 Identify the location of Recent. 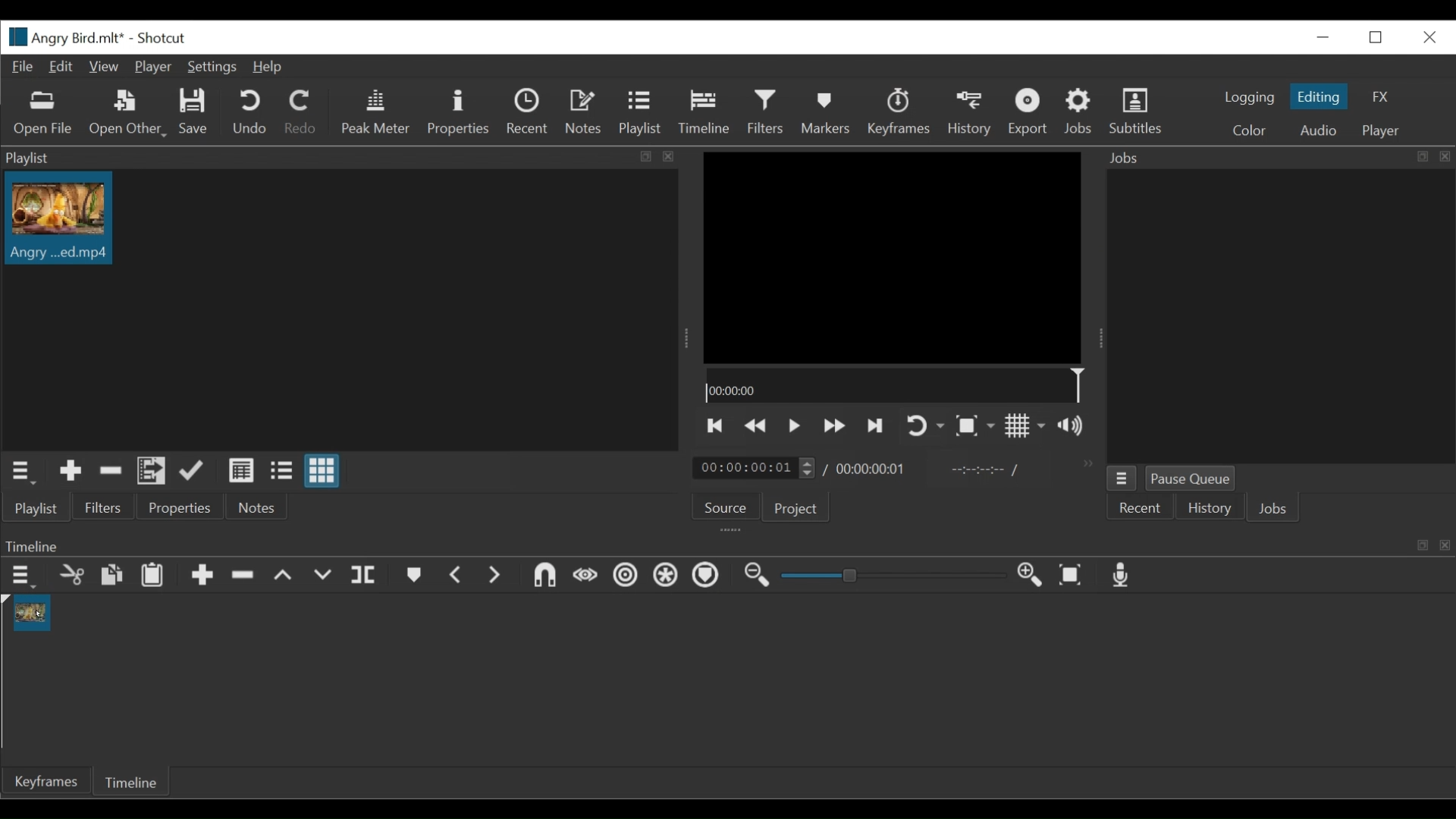
(1144, 510).